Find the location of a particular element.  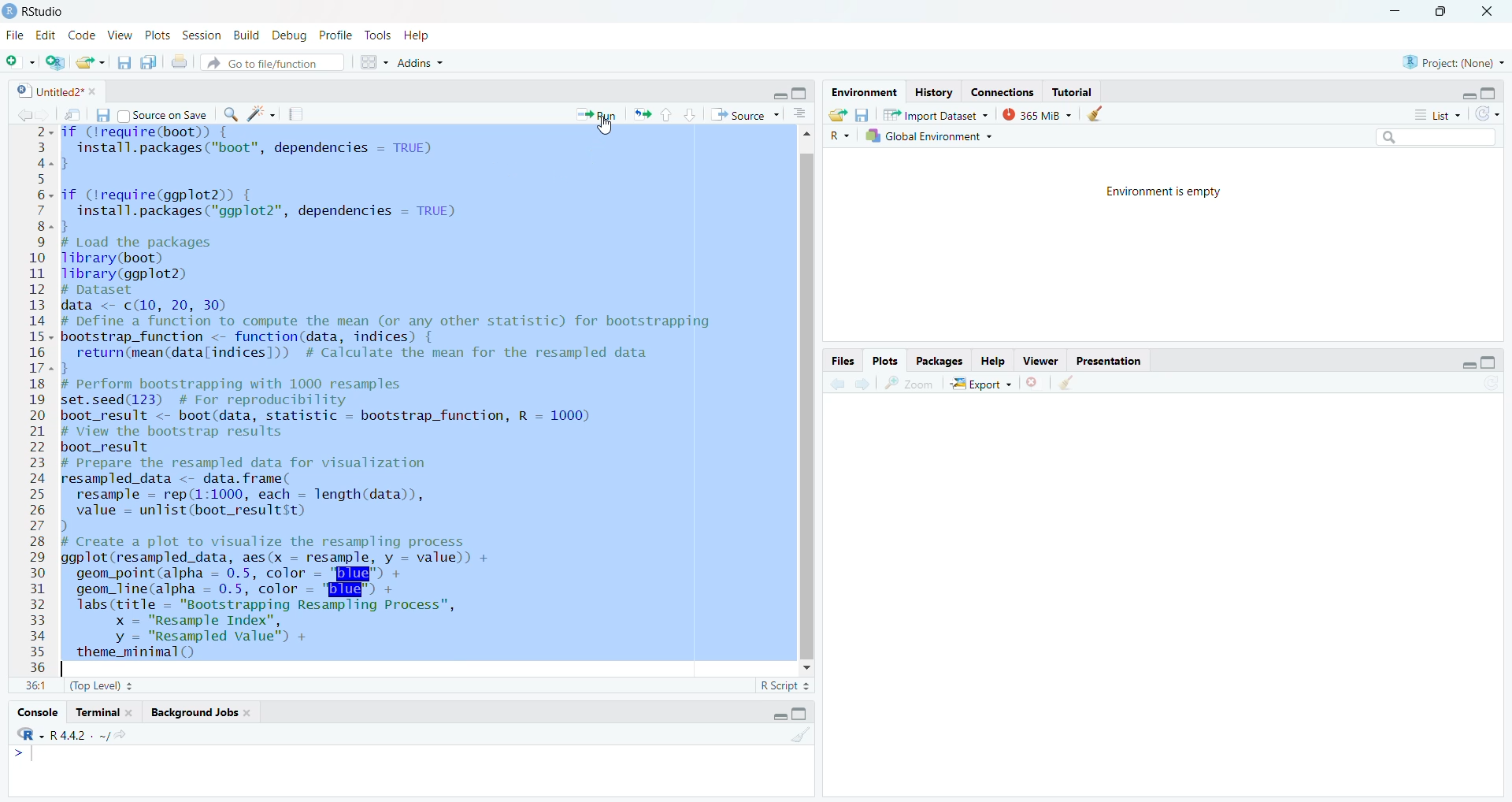

Edit is located at coordinates (45, 35).